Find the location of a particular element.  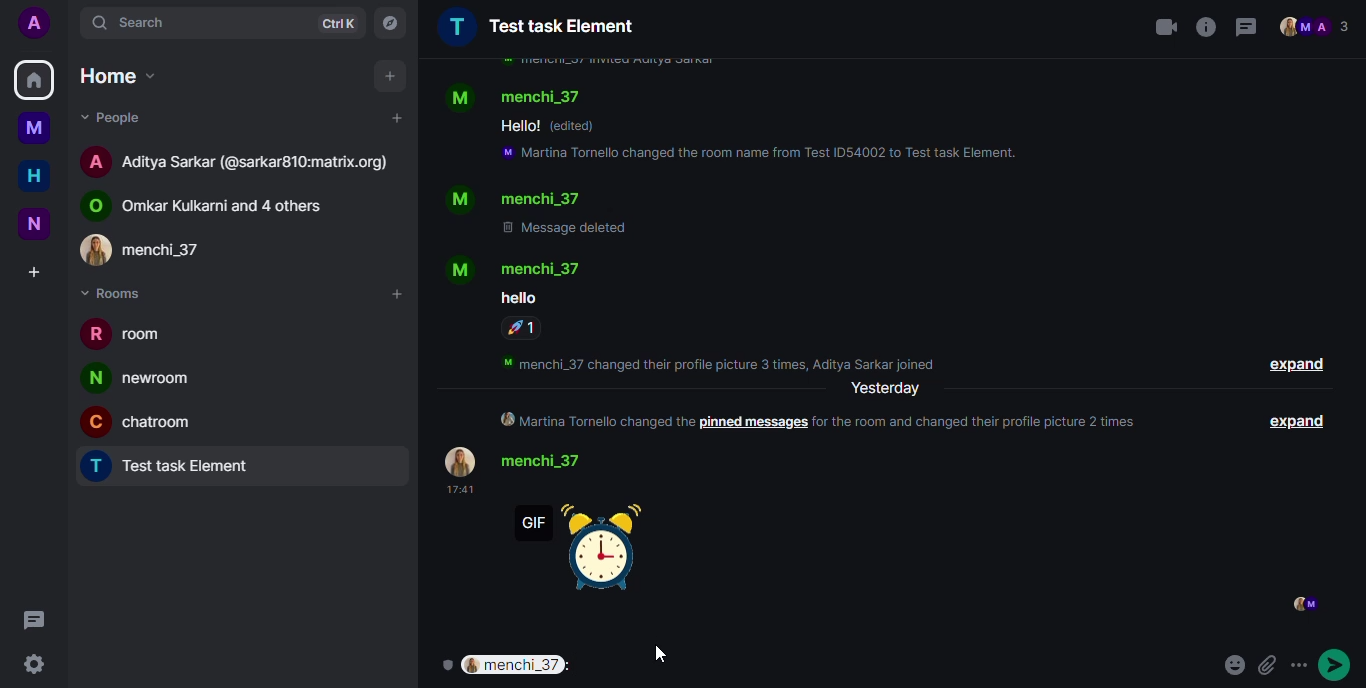

add is located at coordinates (391, 76).